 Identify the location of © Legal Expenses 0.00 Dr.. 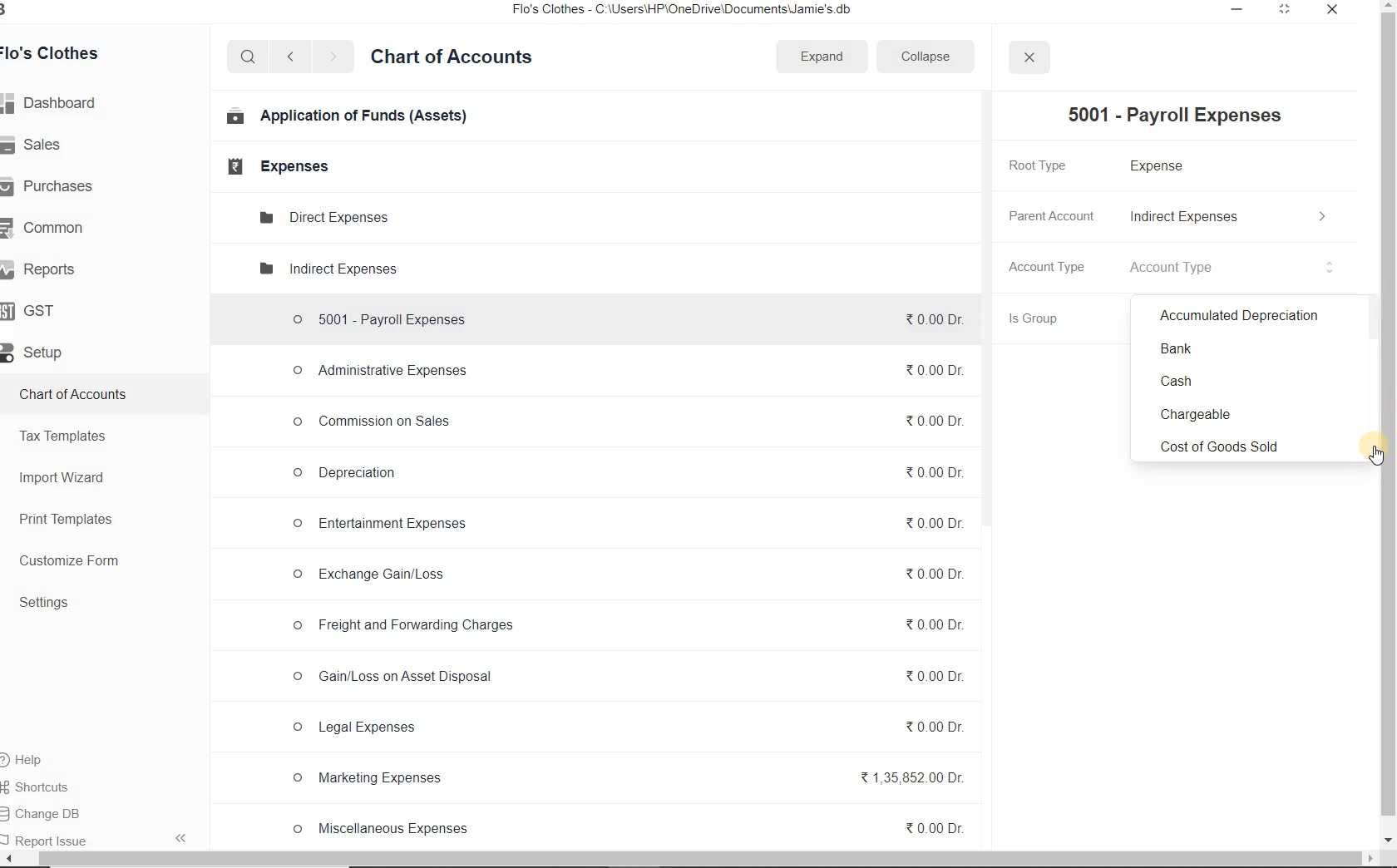
(624, 727).